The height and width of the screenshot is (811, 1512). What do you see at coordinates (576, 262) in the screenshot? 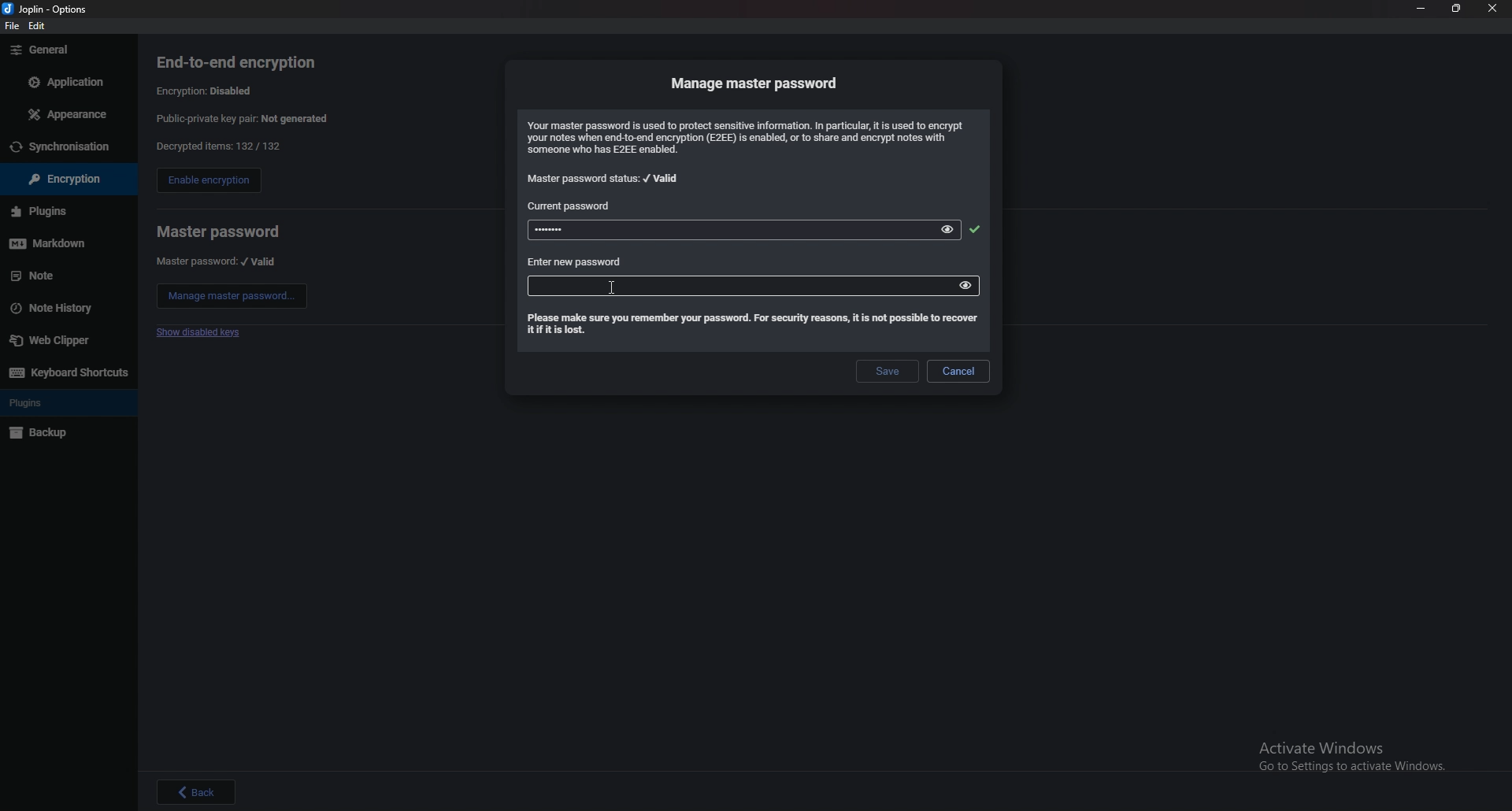
I see `enter new password` at bounding box center [576, 262].